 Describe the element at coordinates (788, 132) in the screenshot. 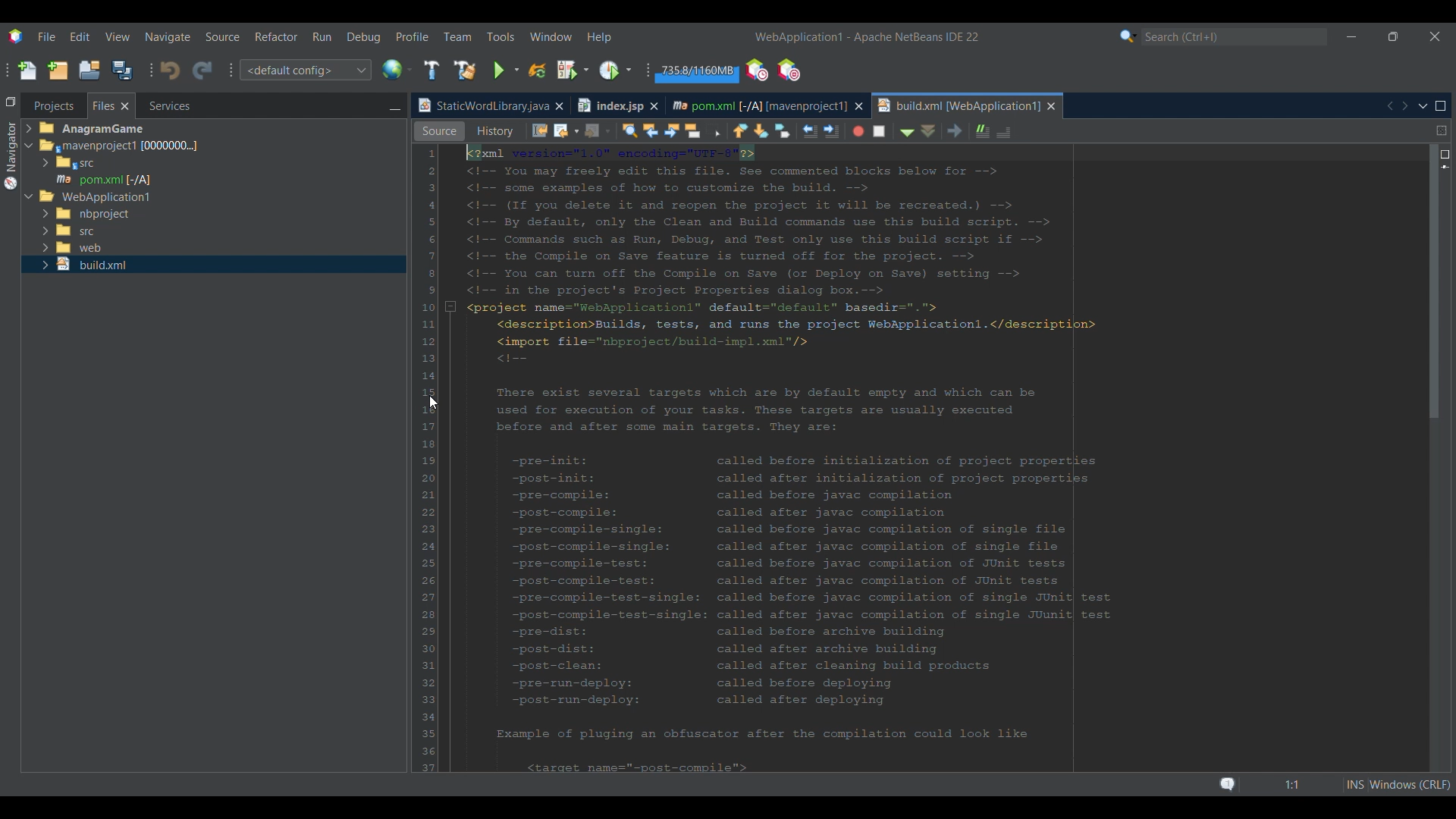

I see `Find previous occurrence` at that location.